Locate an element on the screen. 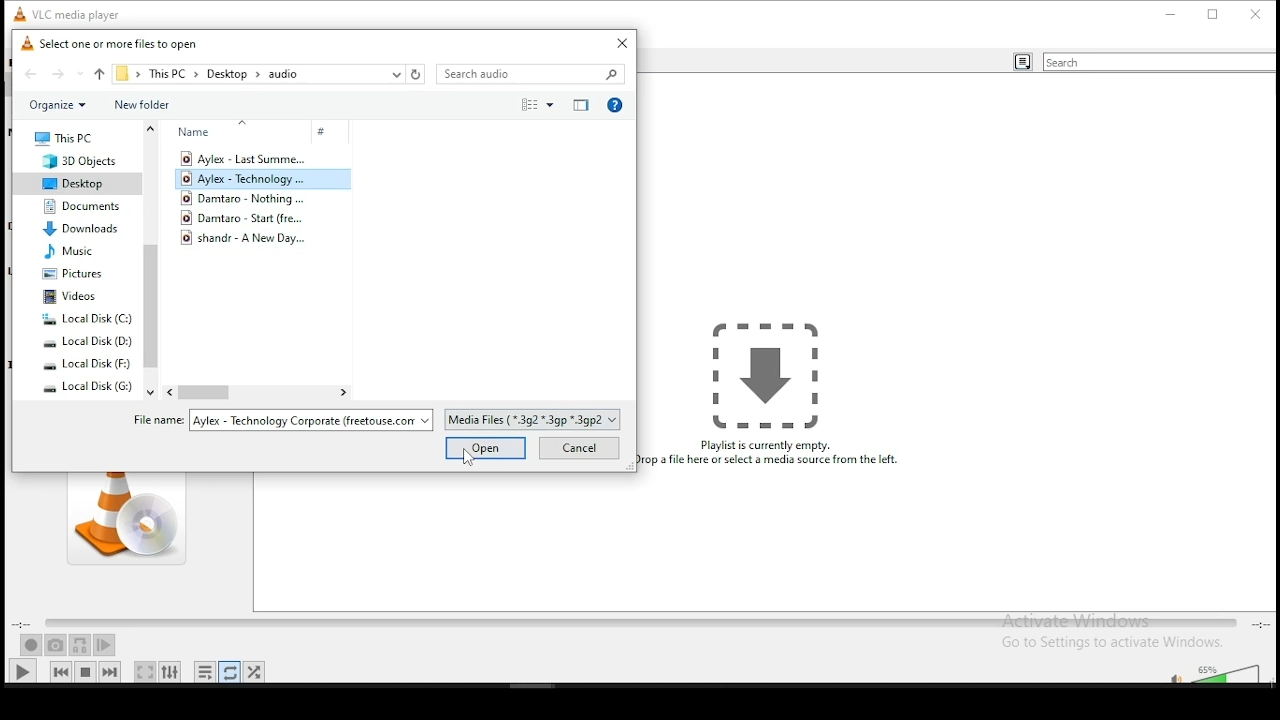  minimize is located at coordinates (1172, 13).